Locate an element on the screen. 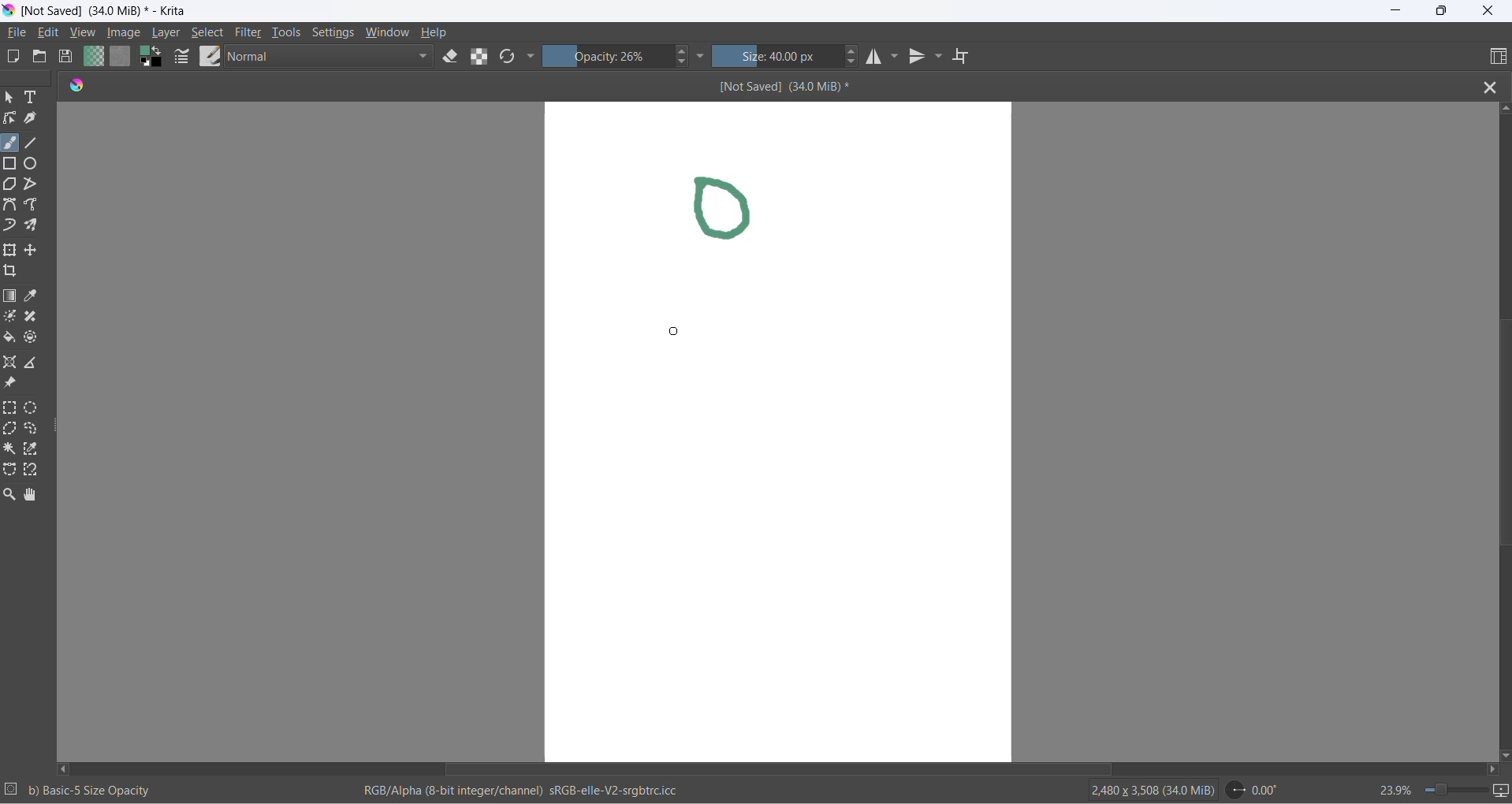  edit is located at coordinates (50, 32).